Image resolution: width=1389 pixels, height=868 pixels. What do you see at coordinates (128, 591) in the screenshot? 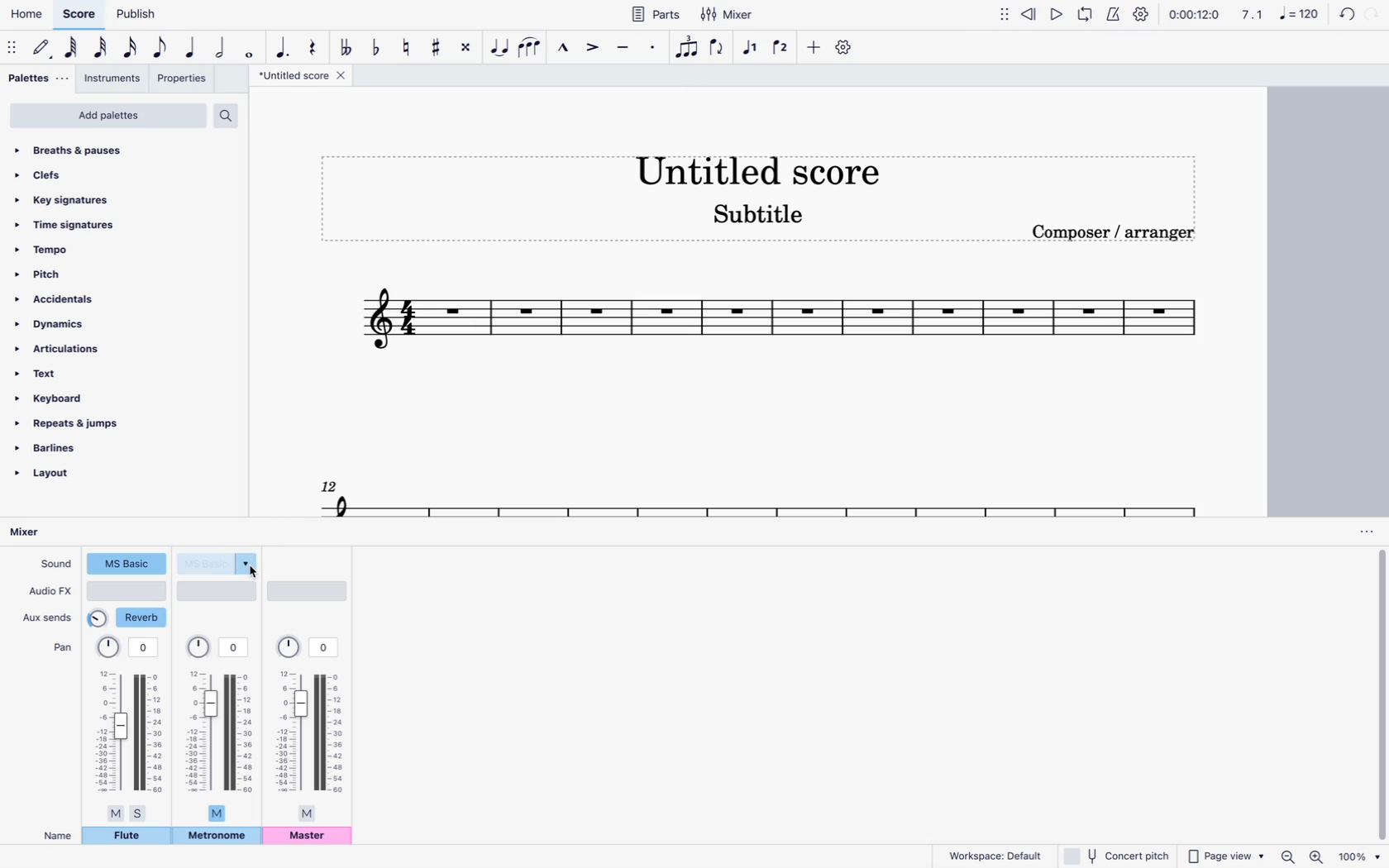
I see `audio type` at bounding box center [128, 591].